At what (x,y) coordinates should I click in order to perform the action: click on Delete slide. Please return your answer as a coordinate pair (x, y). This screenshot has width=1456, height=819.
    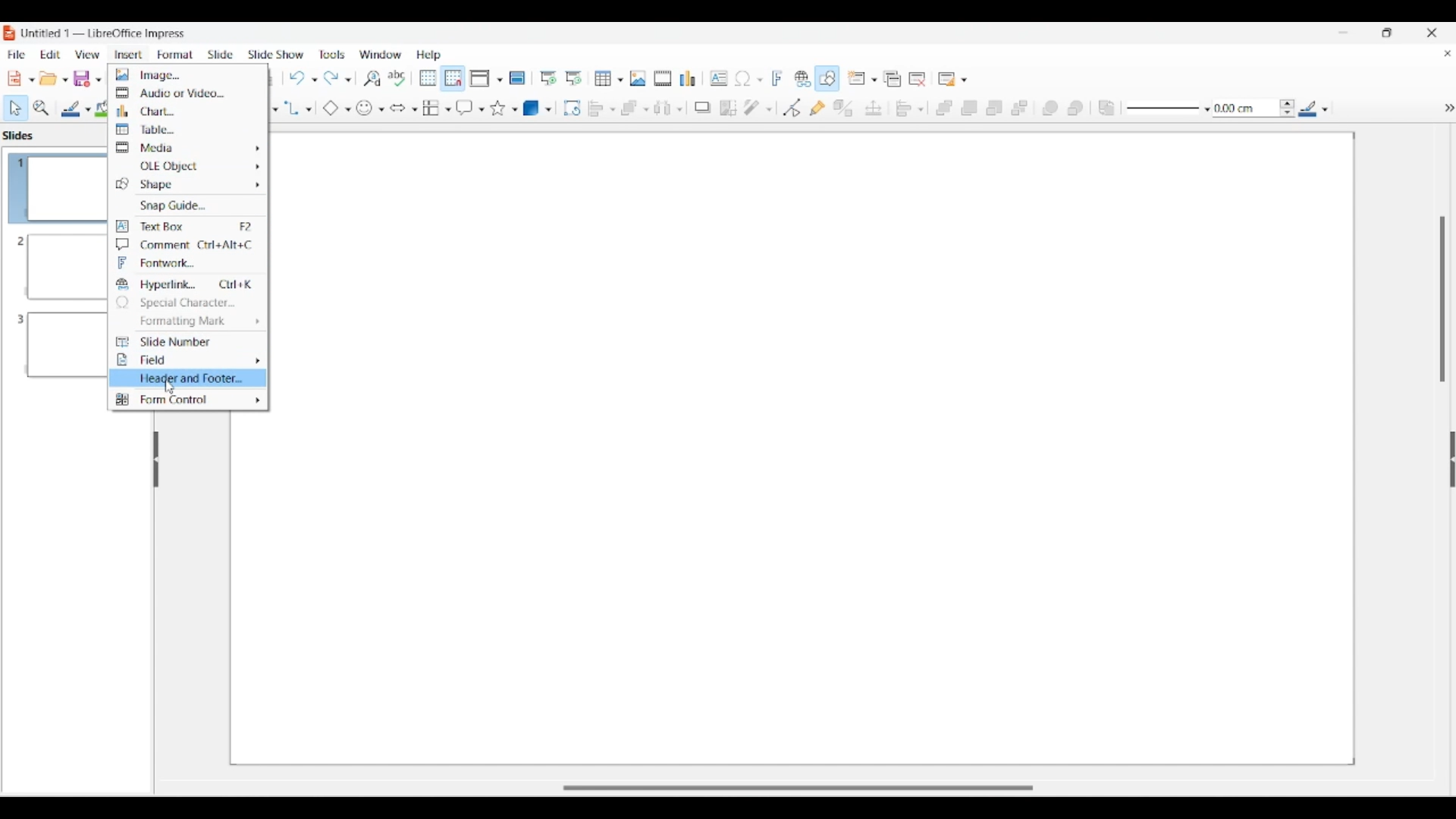
    Looking at the image, I should click on (918, 80).